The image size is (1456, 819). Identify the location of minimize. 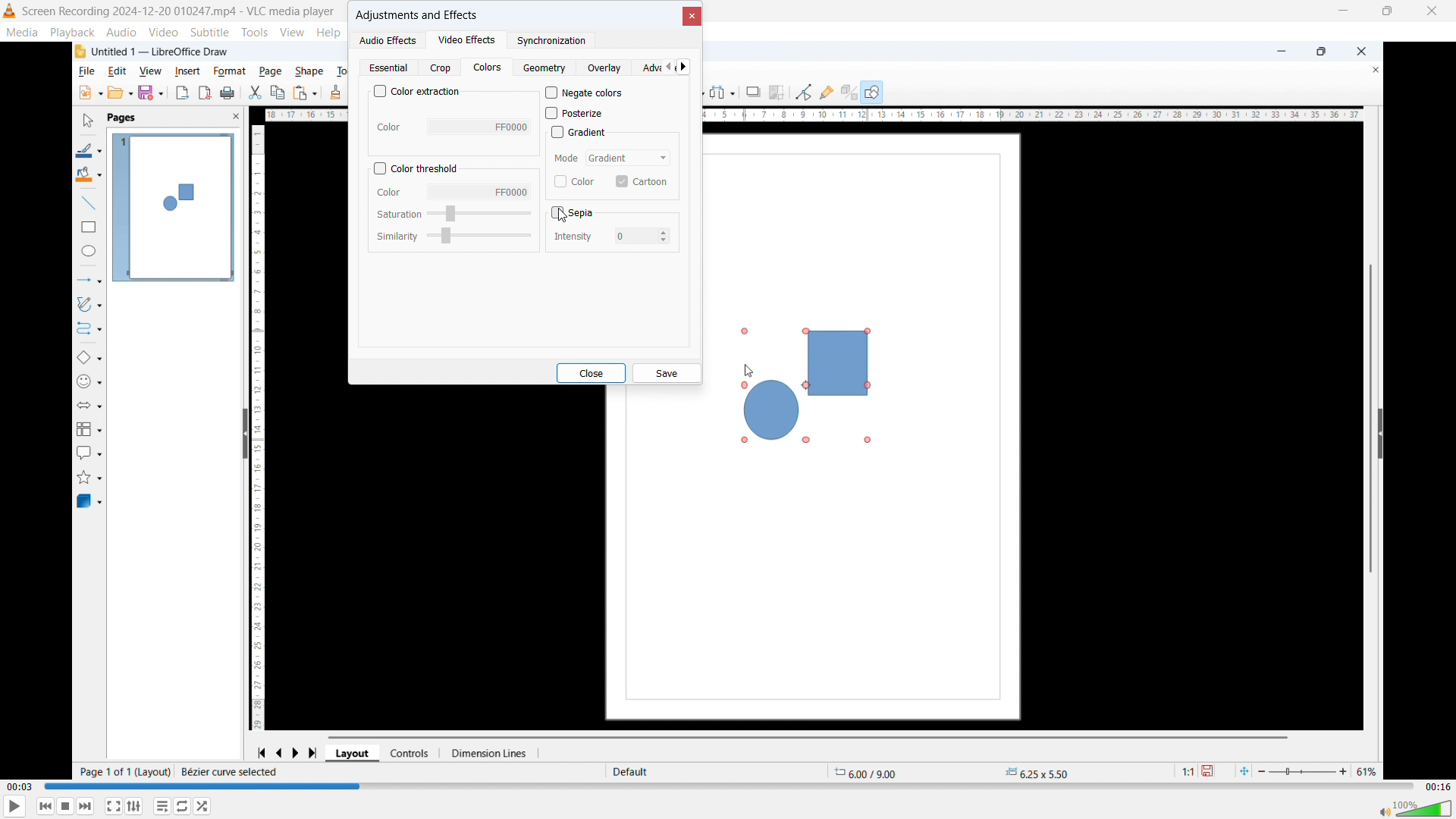
(1342, 12).